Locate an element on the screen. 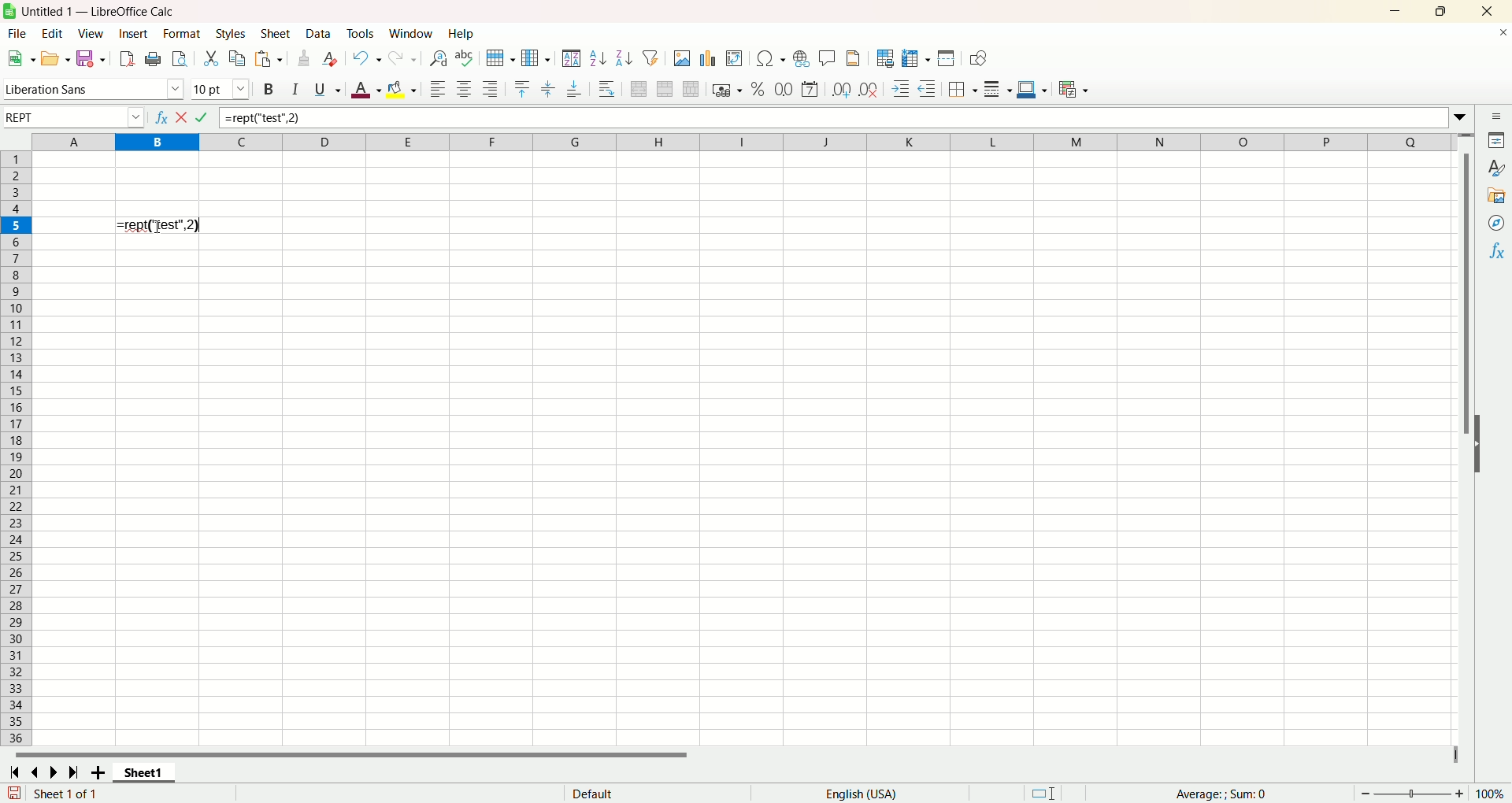  cut is located at coordinates (210, 58).